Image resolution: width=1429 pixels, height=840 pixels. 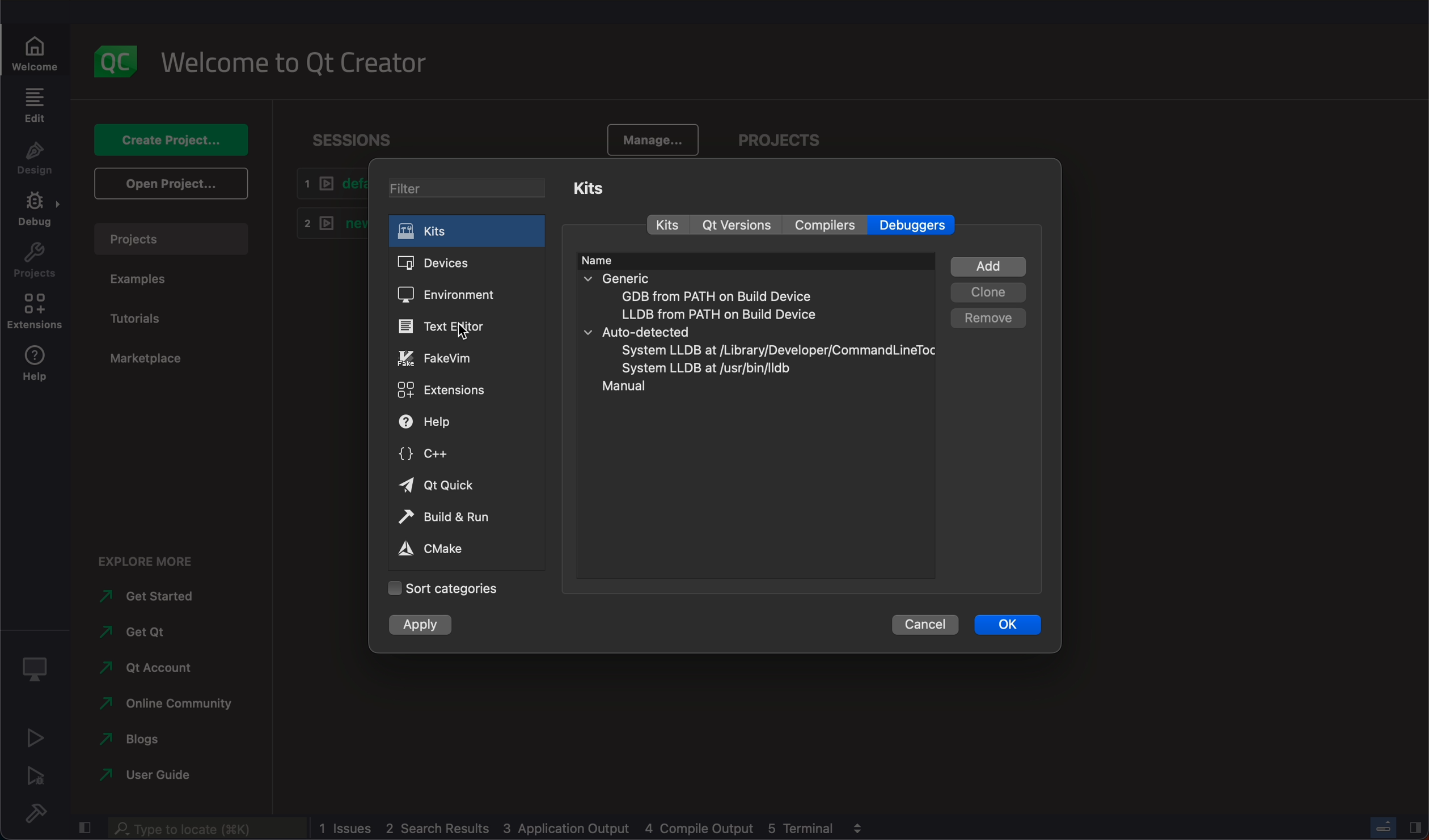 I want to click on compilers, so click(x=823, y=224).